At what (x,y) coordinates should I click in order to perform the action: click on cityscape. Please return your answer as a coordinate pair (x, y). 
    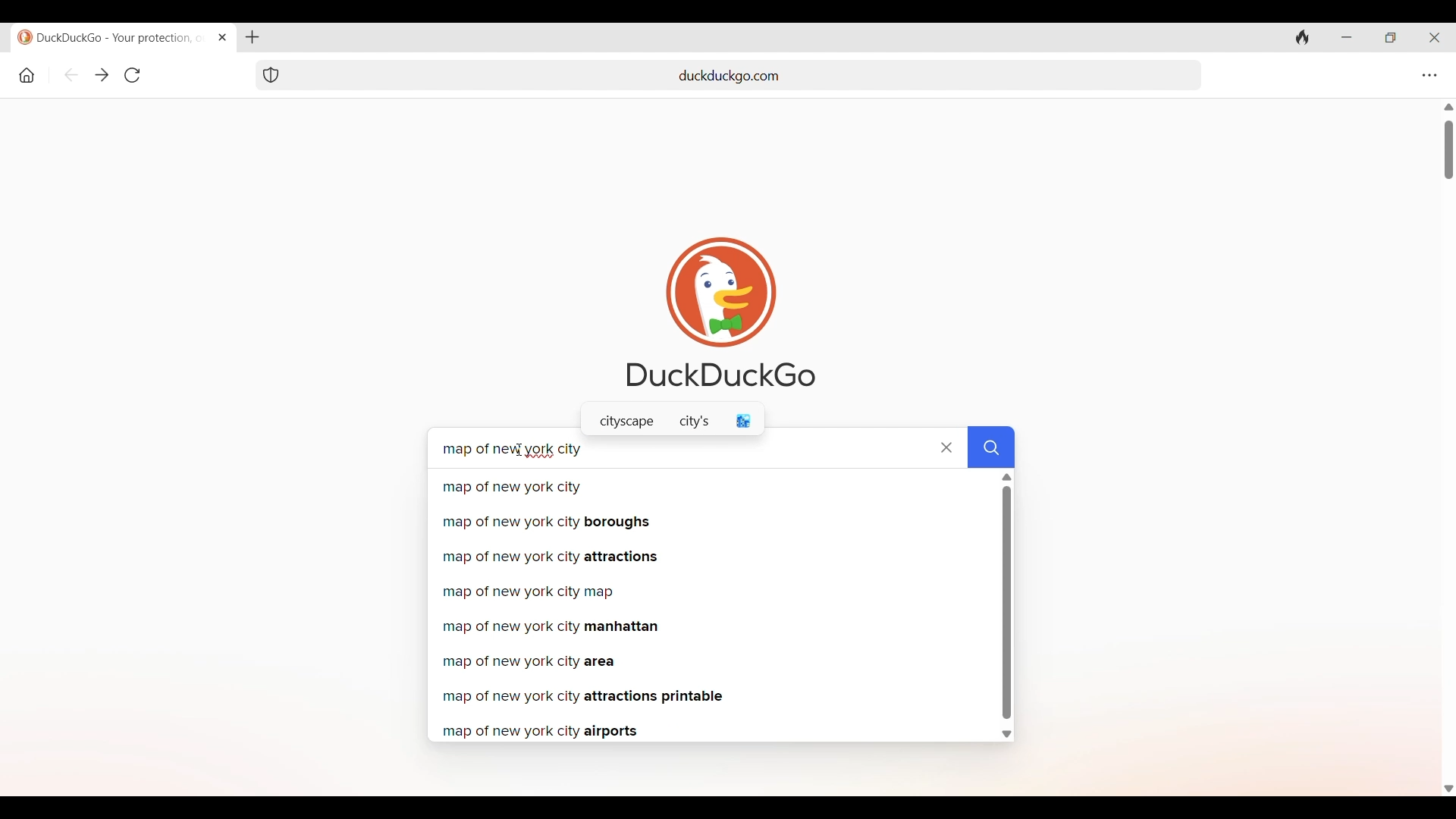
    Looking at the image, I should click on (626, 422).